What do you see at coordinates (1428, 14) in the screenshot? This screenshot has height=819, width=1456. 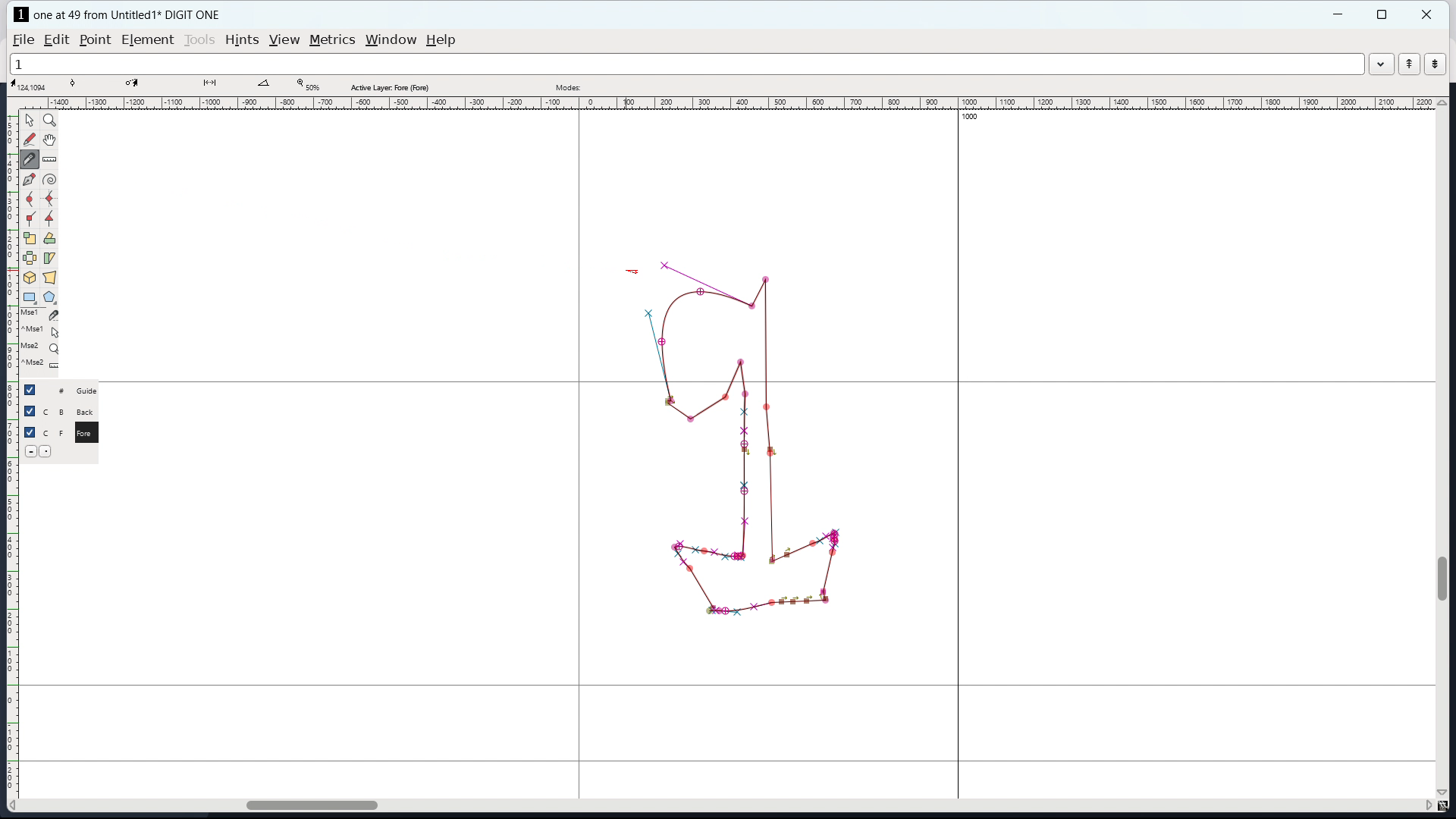 I see `close` at bounding box center [1428, 14].